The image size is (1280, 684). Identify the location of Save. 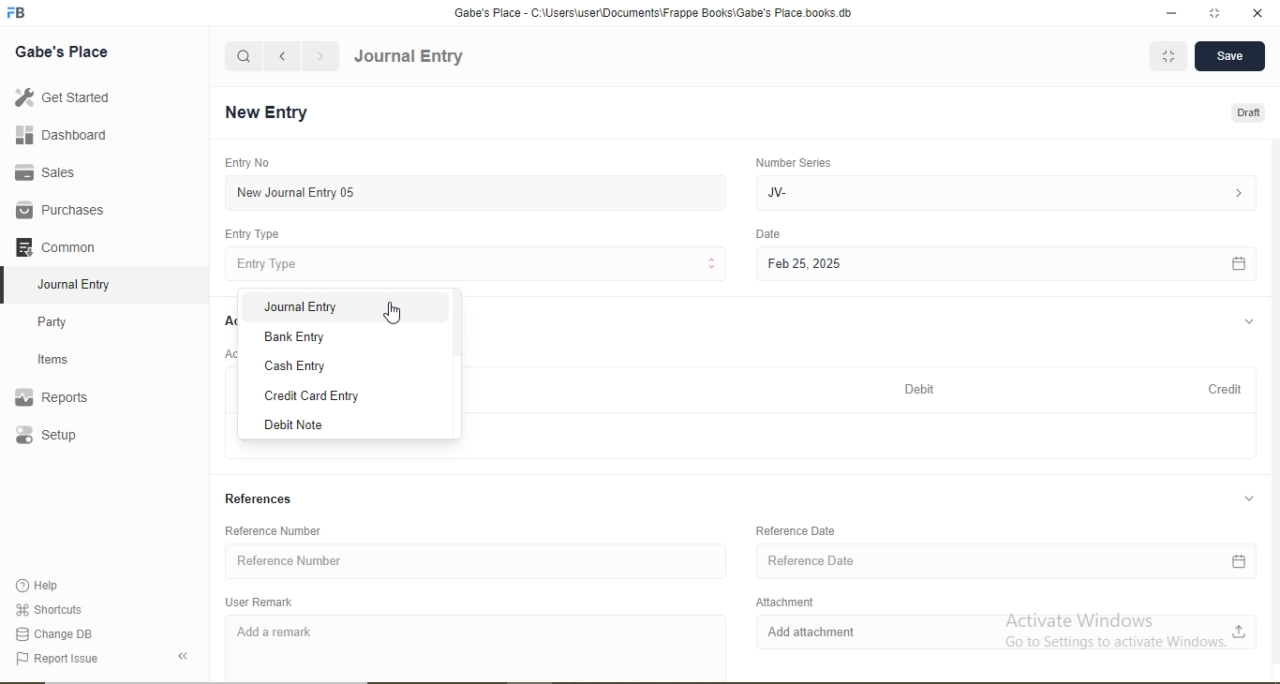
(1228, 57).